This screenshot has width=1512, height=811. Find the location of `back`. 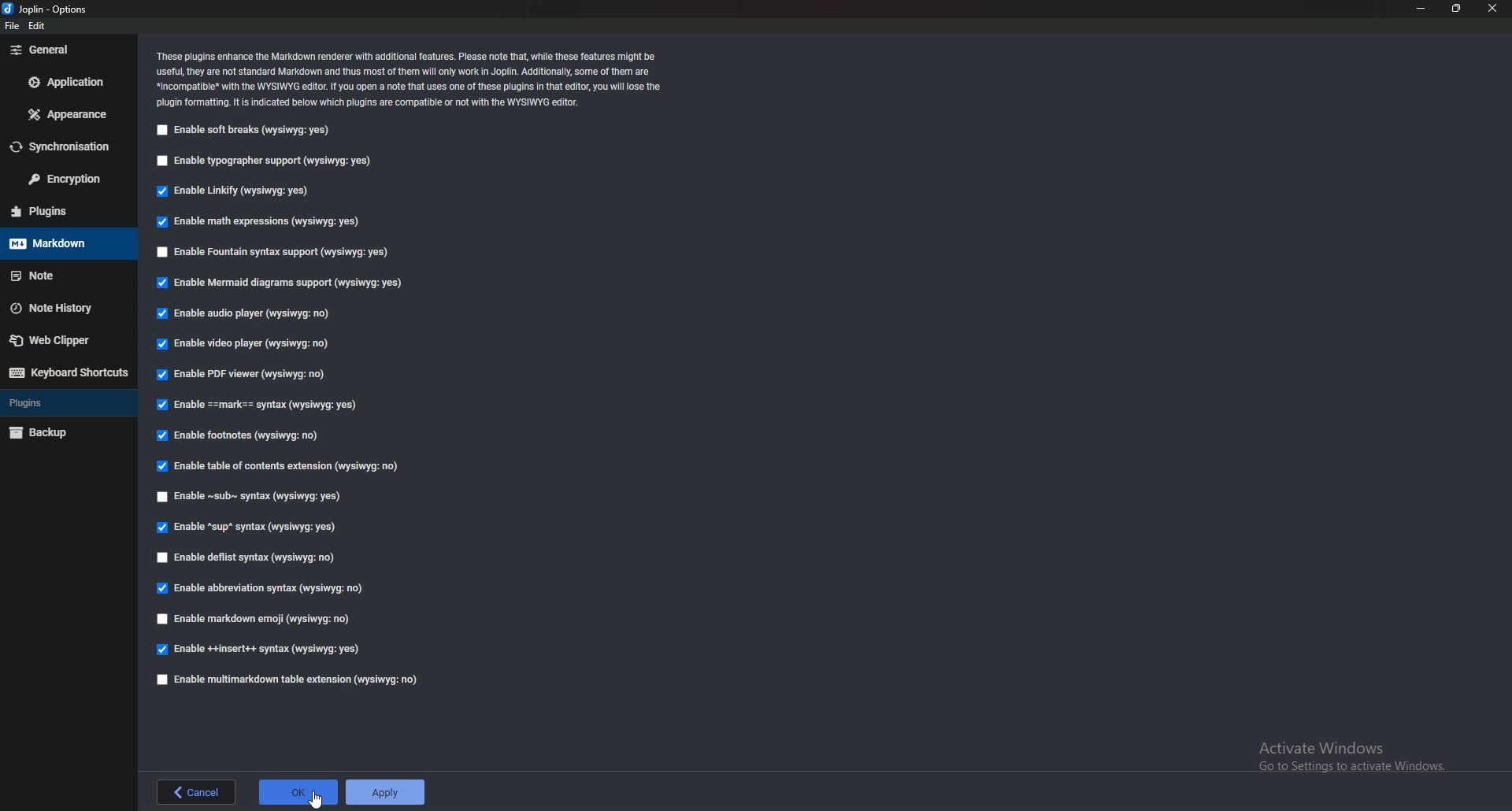

back is located at coordinates (196, 793).